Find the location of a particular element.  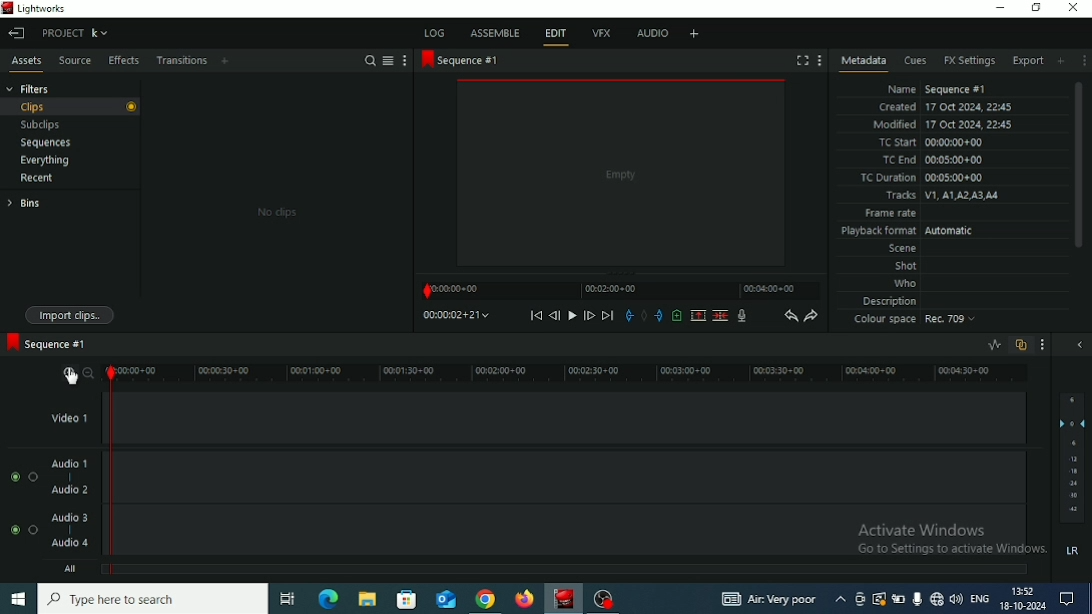

Bins is located at coordinates (23, 203).